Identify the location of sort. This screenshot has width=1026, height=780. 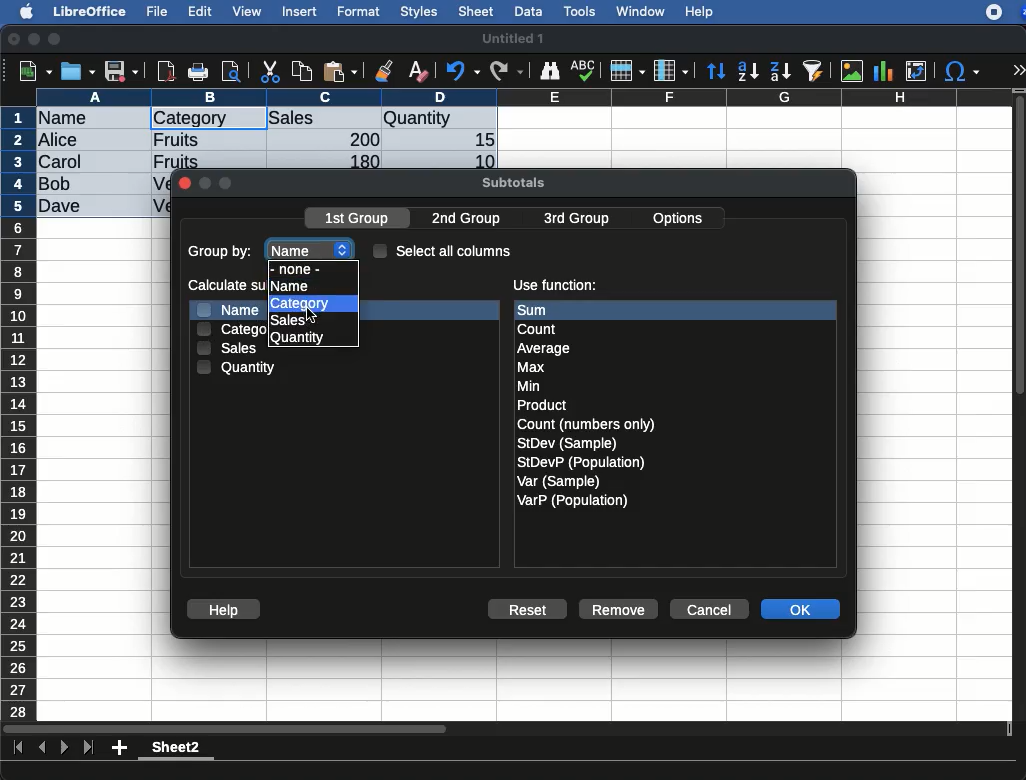
(715, 72).